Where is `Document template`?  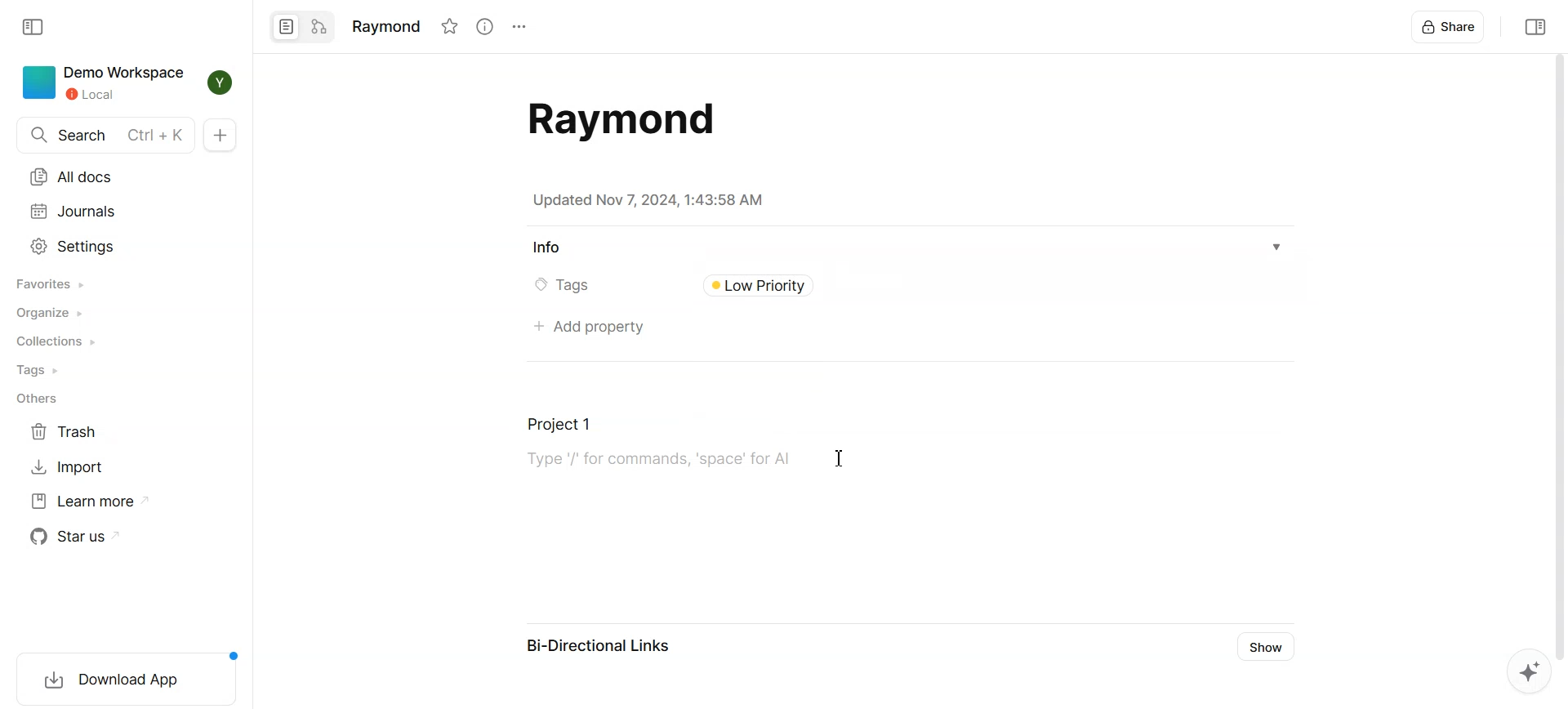
Document template is located at coordinates (616, 119).